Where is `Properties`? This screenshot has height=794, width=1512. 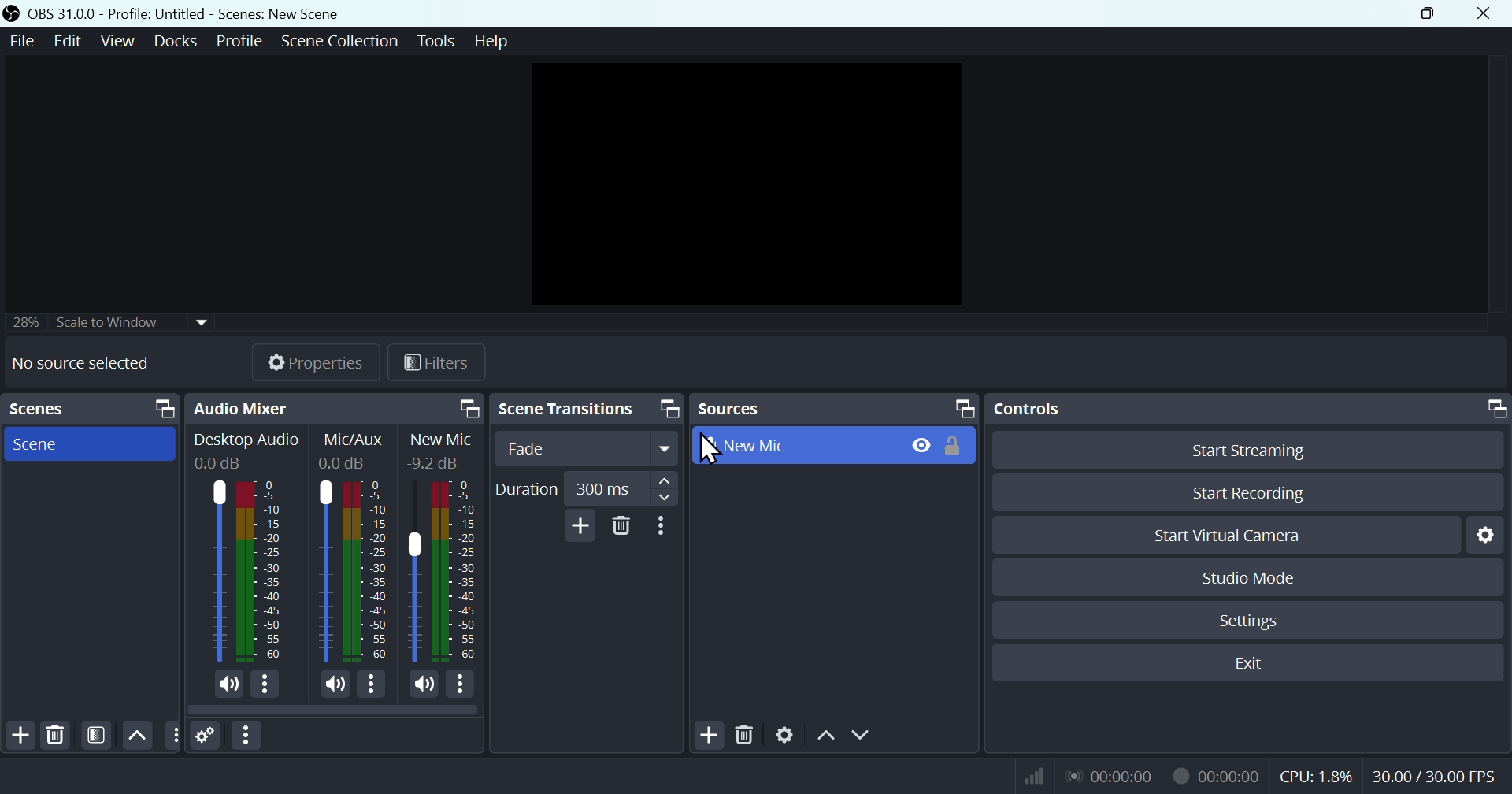
Properties is located at coordinates (312, 364).